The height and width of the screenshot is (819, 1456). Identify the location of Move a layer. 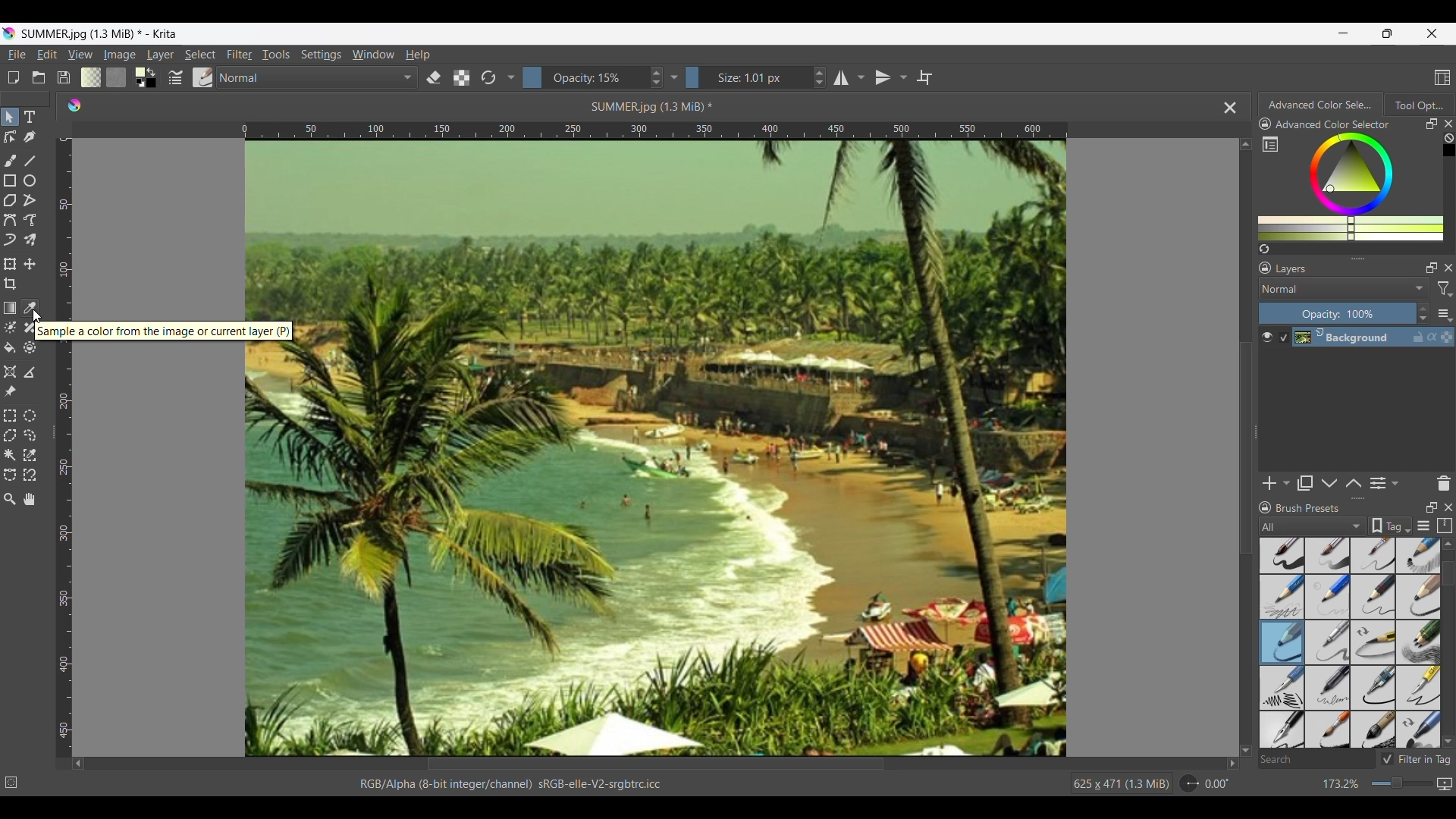
(29, 264).